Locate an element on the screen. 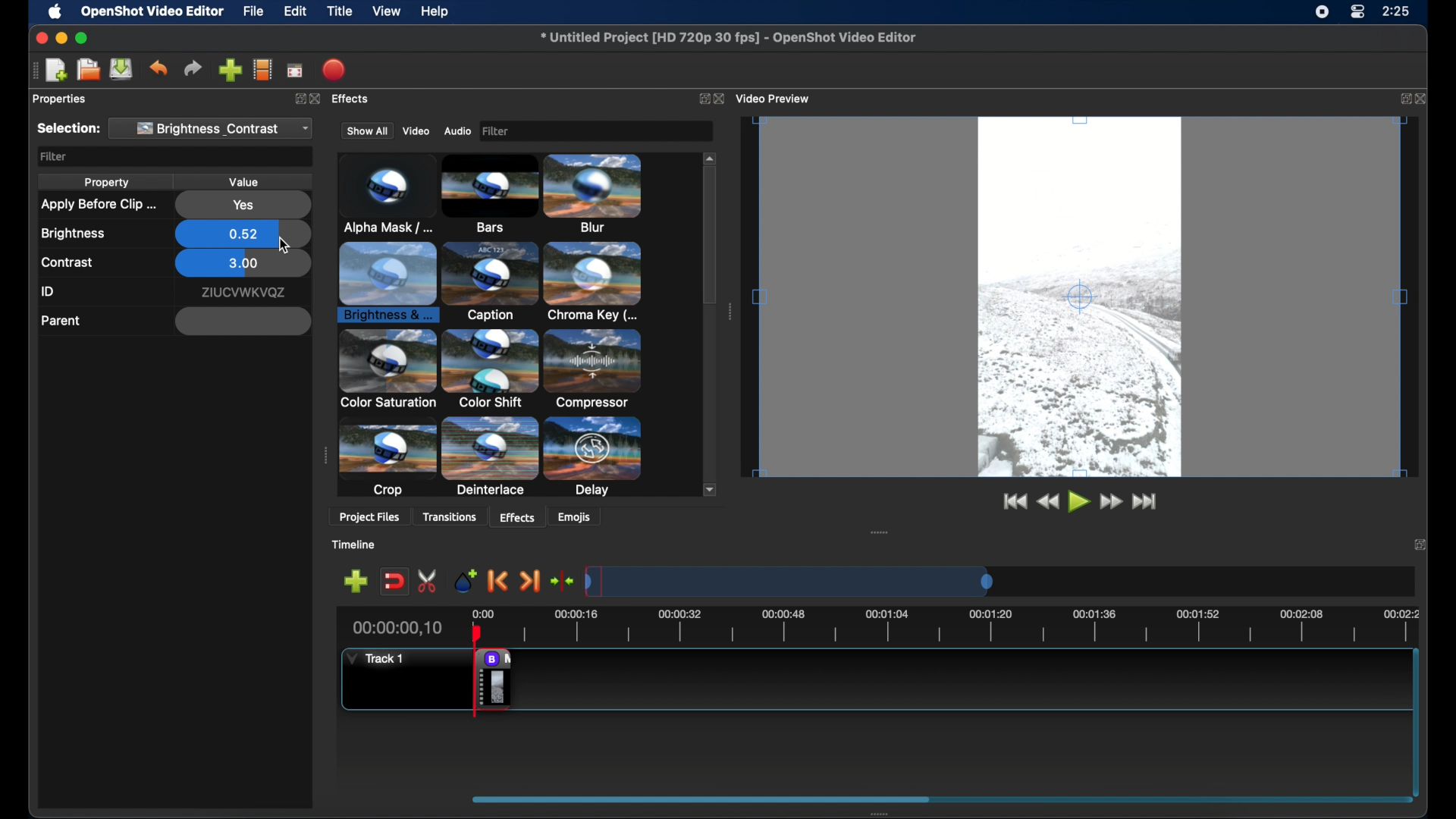 The height and width of the screenshot is (819, 1456). brightness is located at coordinates (74, 234).